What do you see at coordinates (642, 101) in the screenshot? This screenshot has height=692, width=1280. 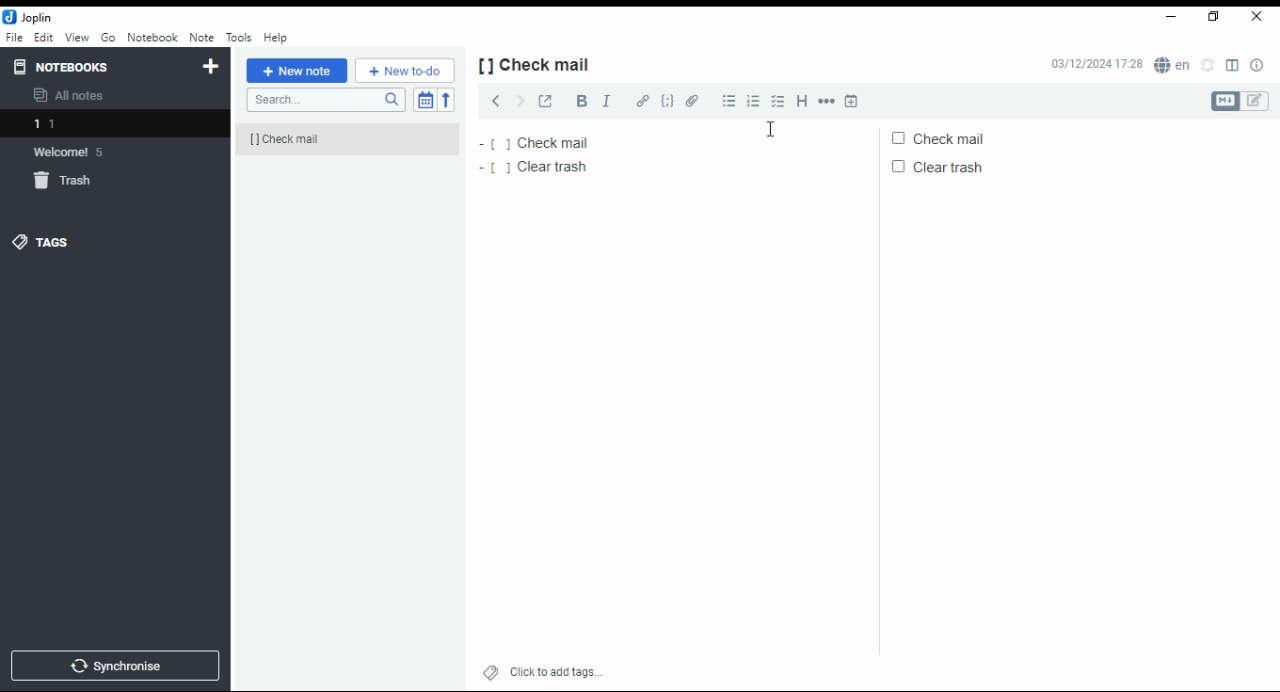 I see `hyperlink` at bounding box center [642, 101].